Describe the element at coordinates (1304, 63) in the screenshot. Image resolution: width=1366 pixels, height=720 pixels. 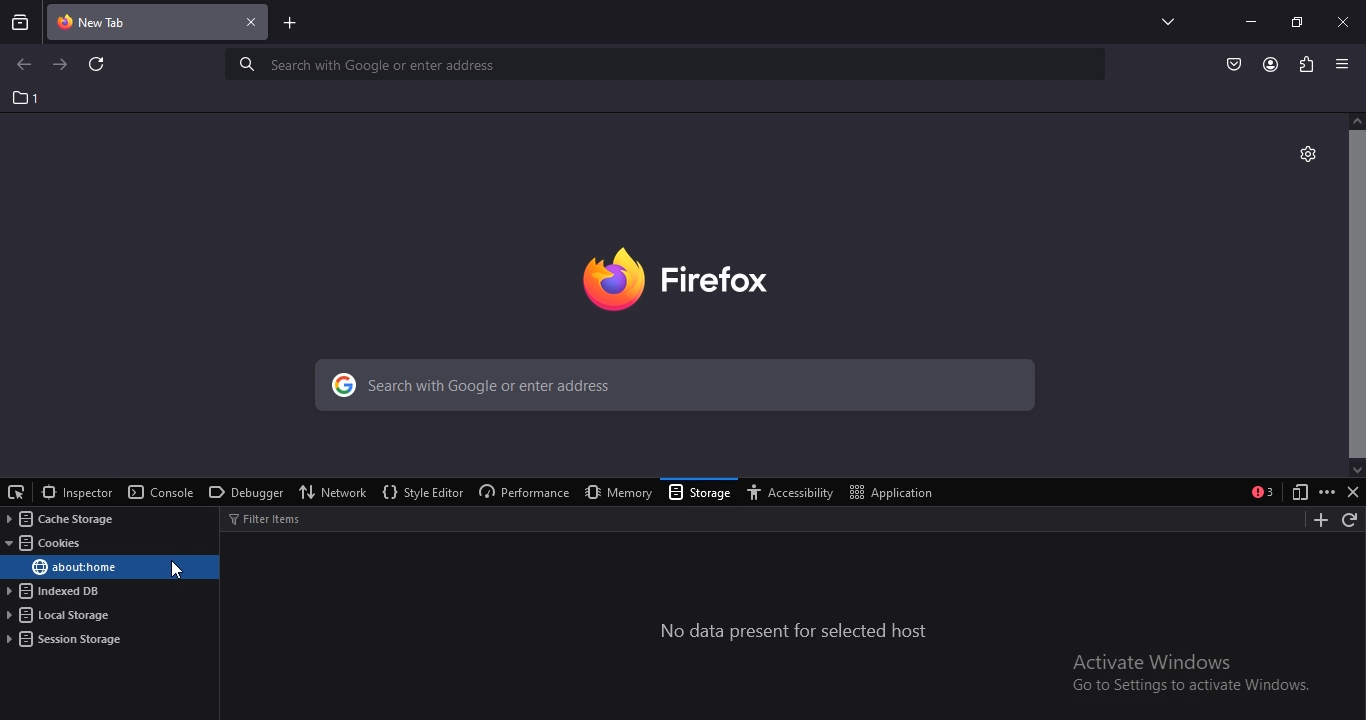
I see `extensions` at that location.